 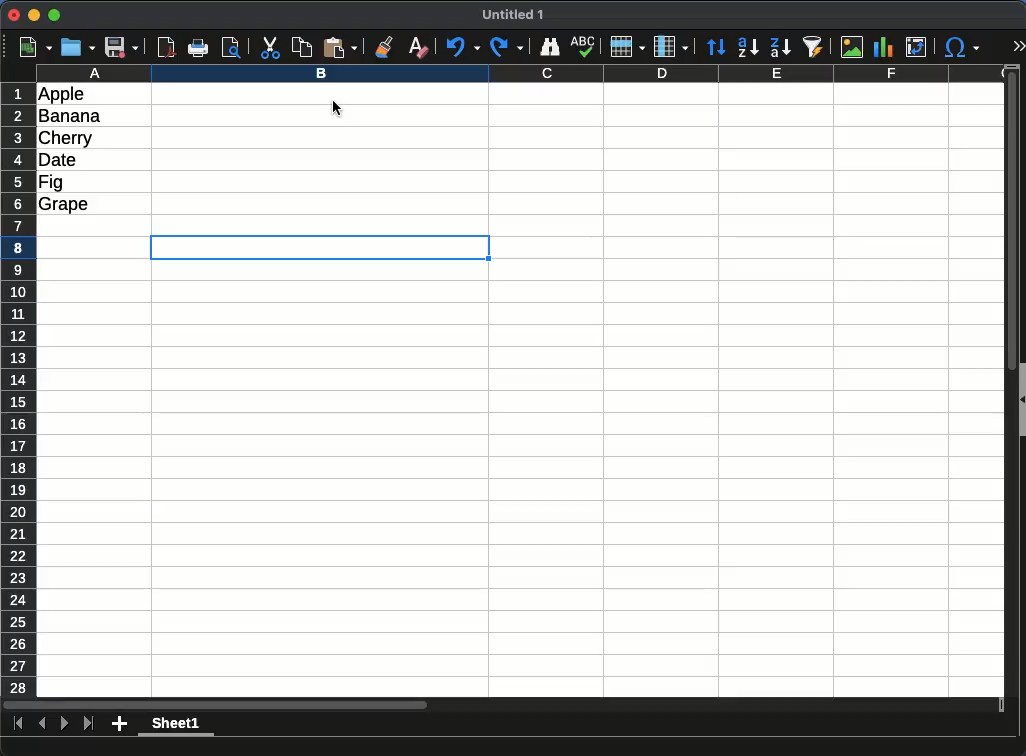 What do you see at coordinates (1022, 400) in the screenshot?
I see `Collapse/Expand` at bounding box center [1022, 400].